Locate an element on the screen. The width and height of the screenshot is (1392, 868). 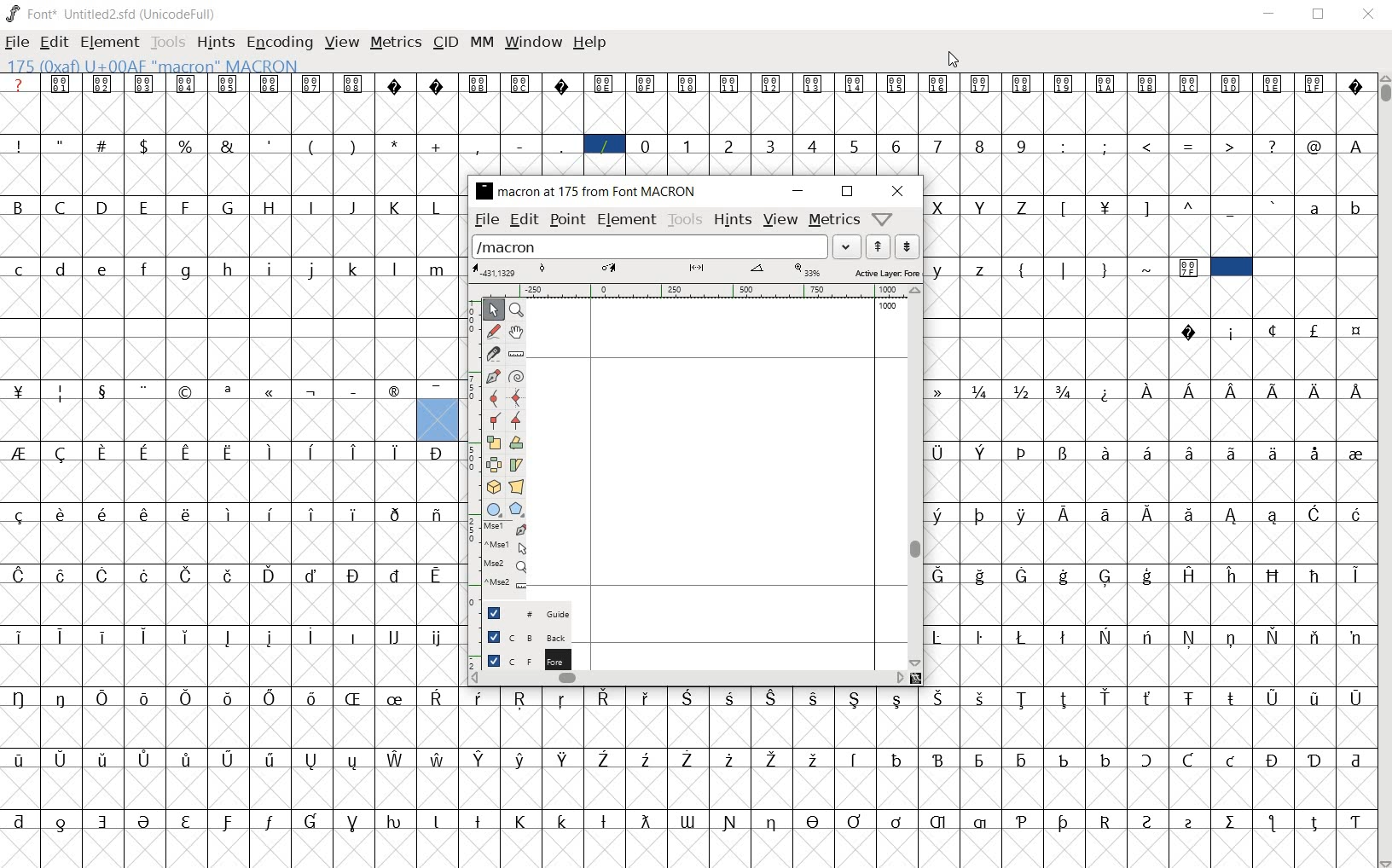
Symbol is located at coordinates (393, 638).